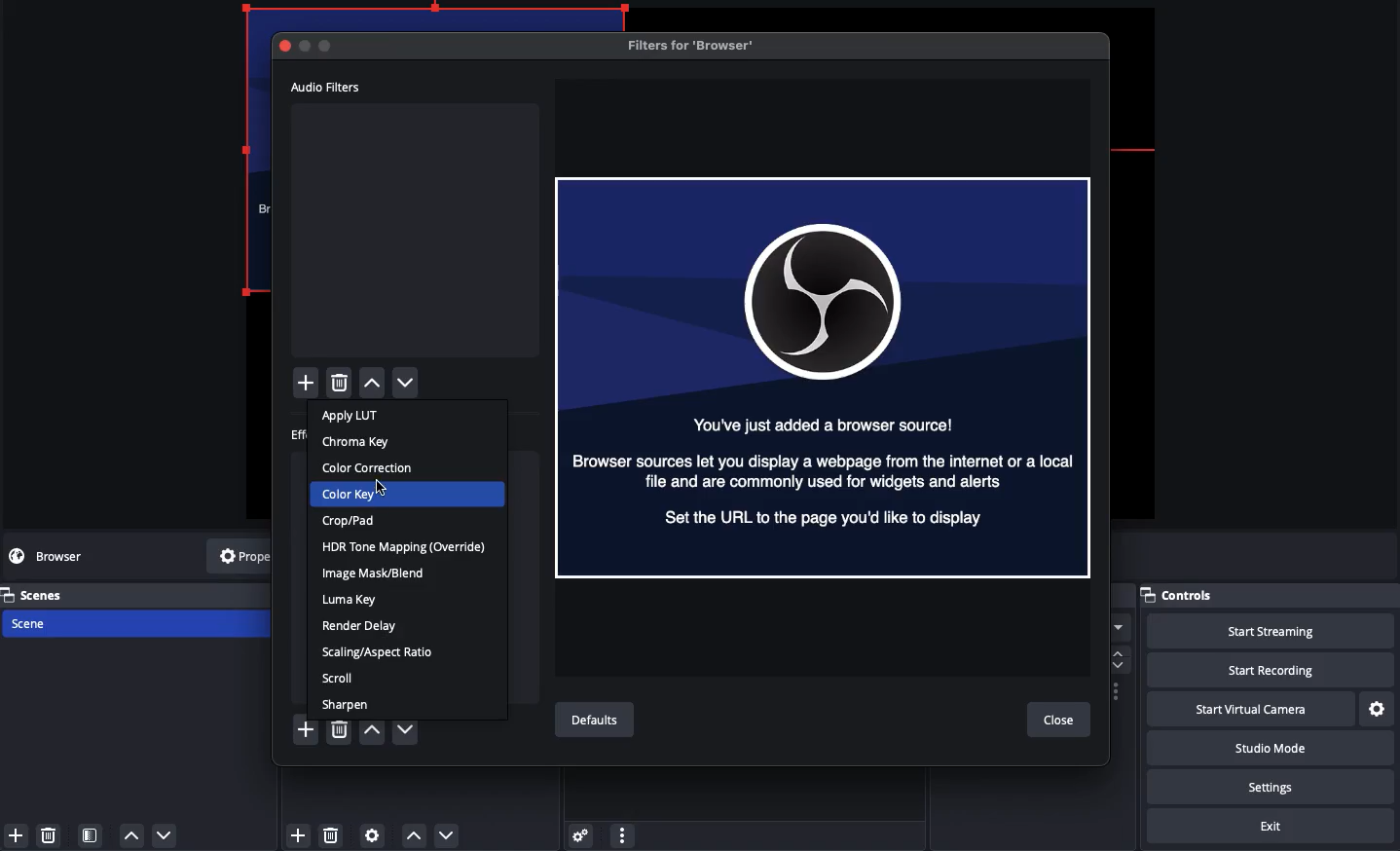  Describe the element at coordinates (623, 836) in the screenshot. I see `more` at that location.